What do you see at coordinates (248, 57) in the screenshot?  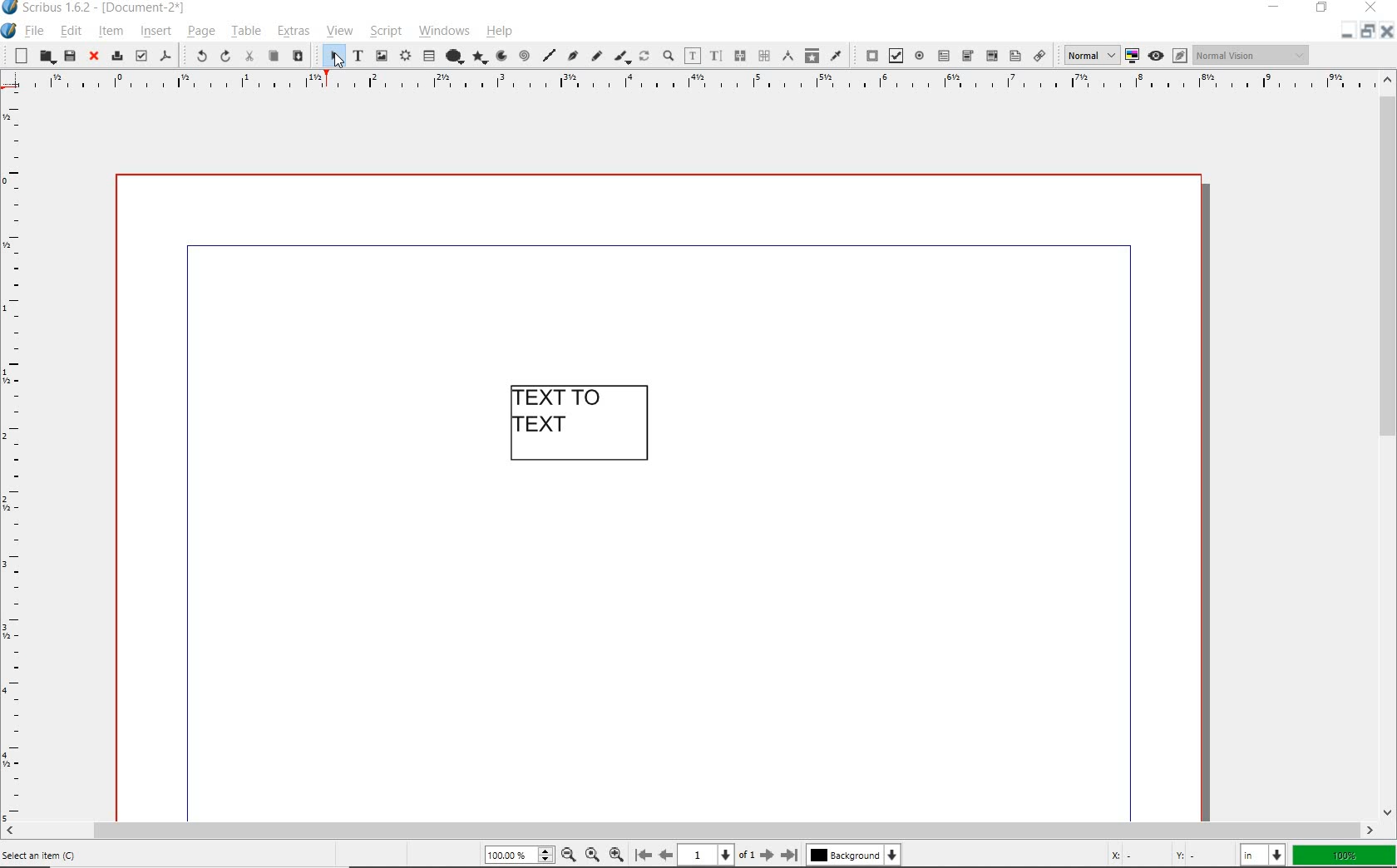 I see `cut` at bounding box center [248, 57].